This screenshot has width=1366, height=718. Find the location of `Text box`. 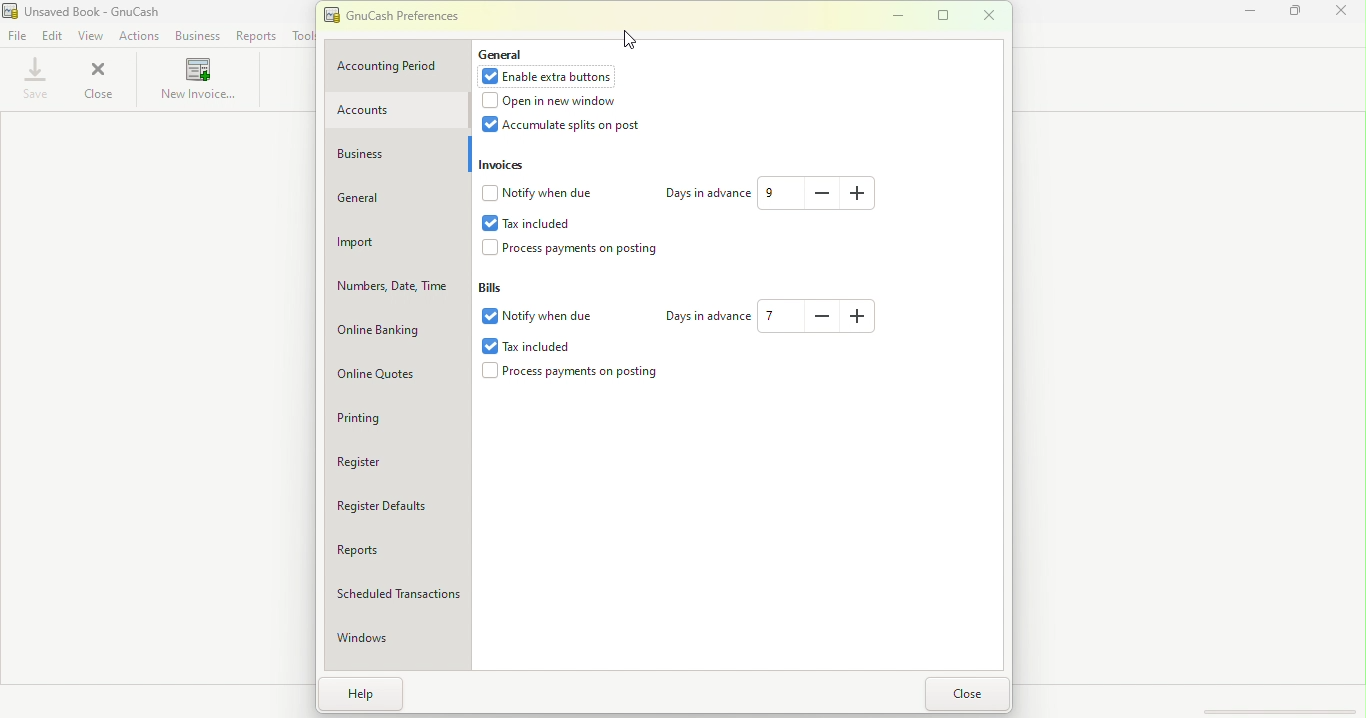

Text box is located at coordinates (782, 316).